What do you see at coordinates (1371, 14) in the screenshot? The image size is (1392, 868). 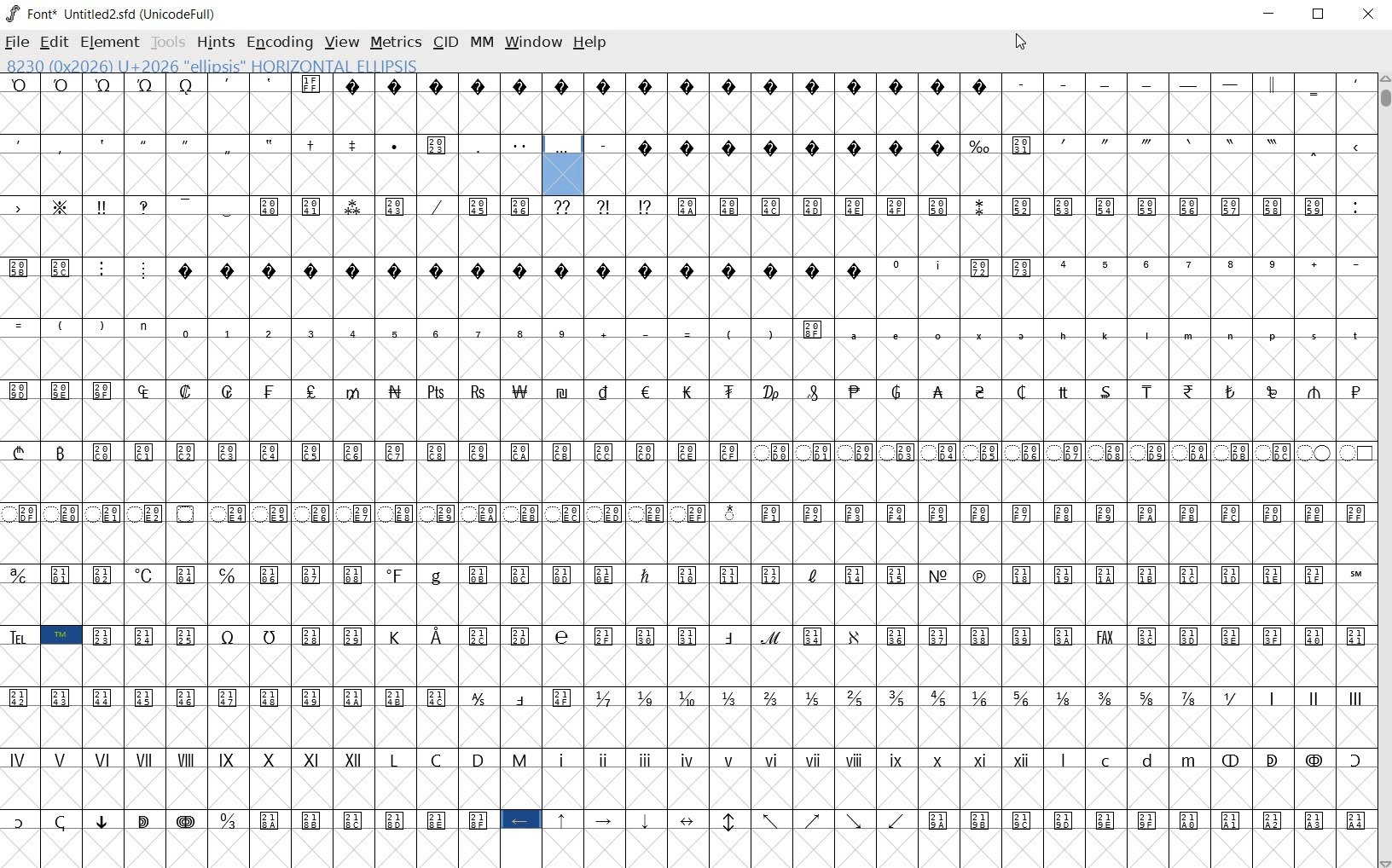 I see `CLOSE` at bounding box center [1371, 14].